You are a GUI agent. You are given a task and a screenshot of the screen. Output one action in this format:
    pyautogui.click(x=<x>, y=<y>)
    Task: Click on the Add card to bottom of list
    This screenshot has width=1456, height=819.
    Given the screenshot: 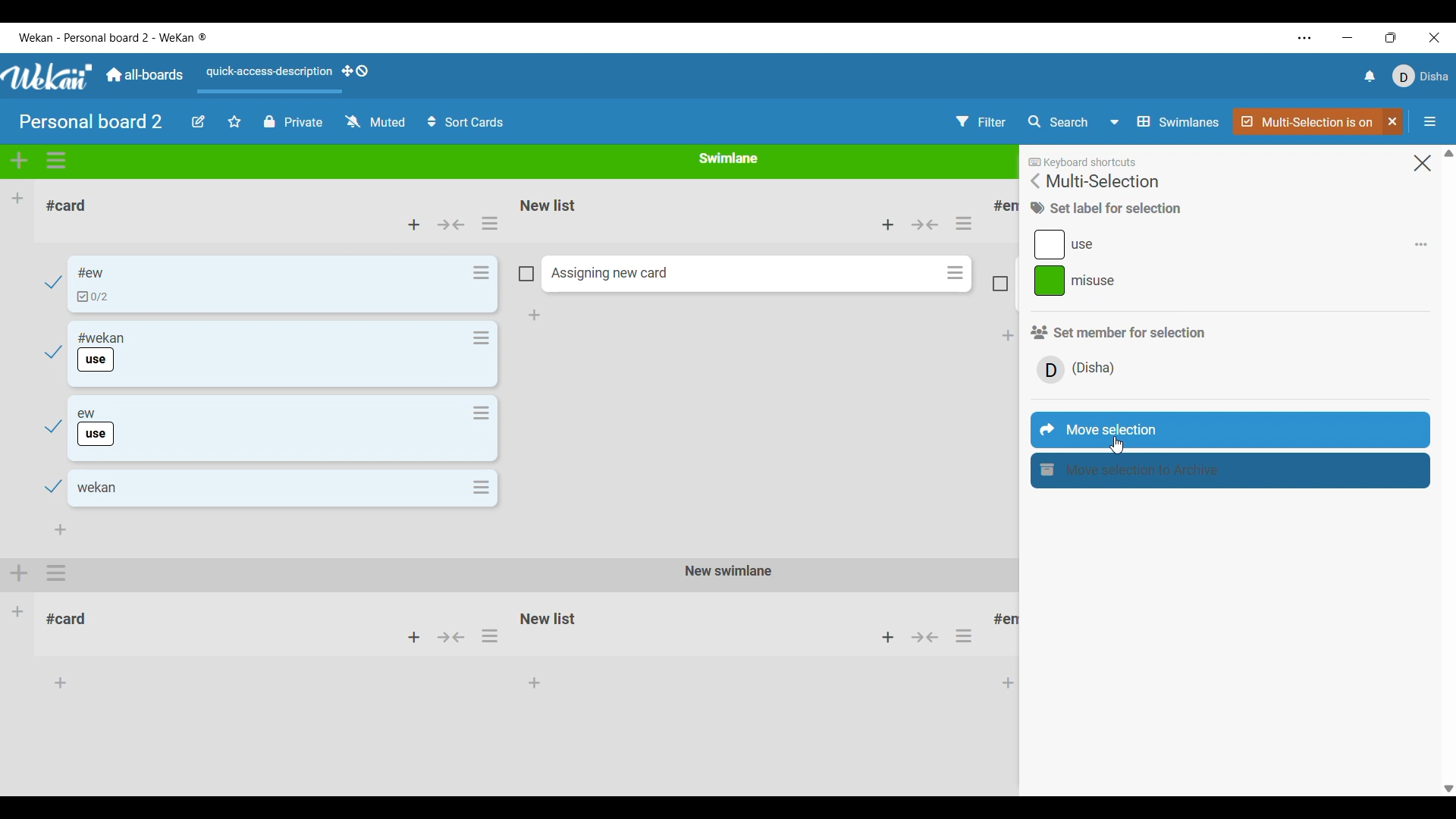 What is the action you would take?
    pyautogui.click(x=535, y=315)
    